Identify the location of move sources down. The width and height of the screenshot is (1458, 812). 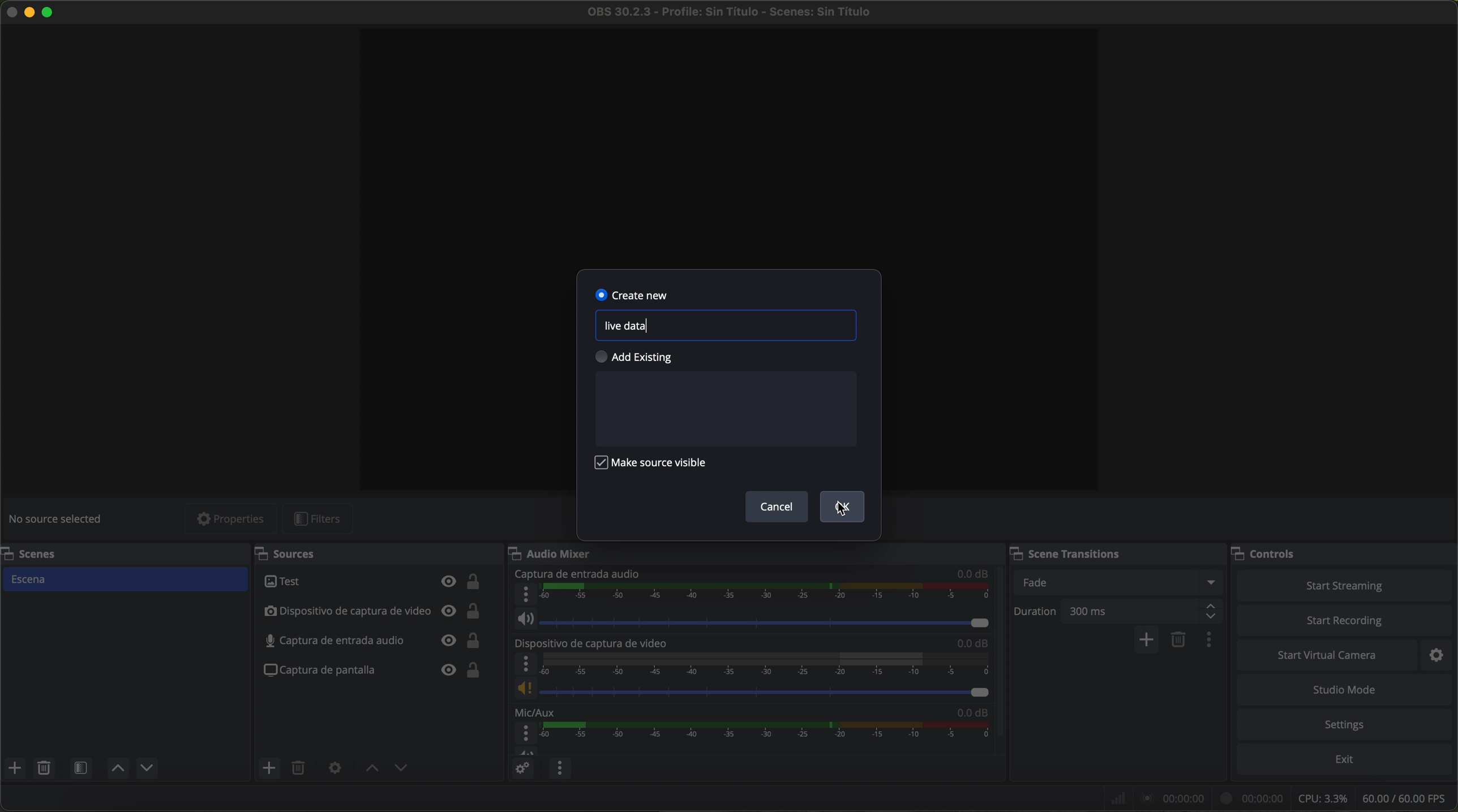
(402, 770).